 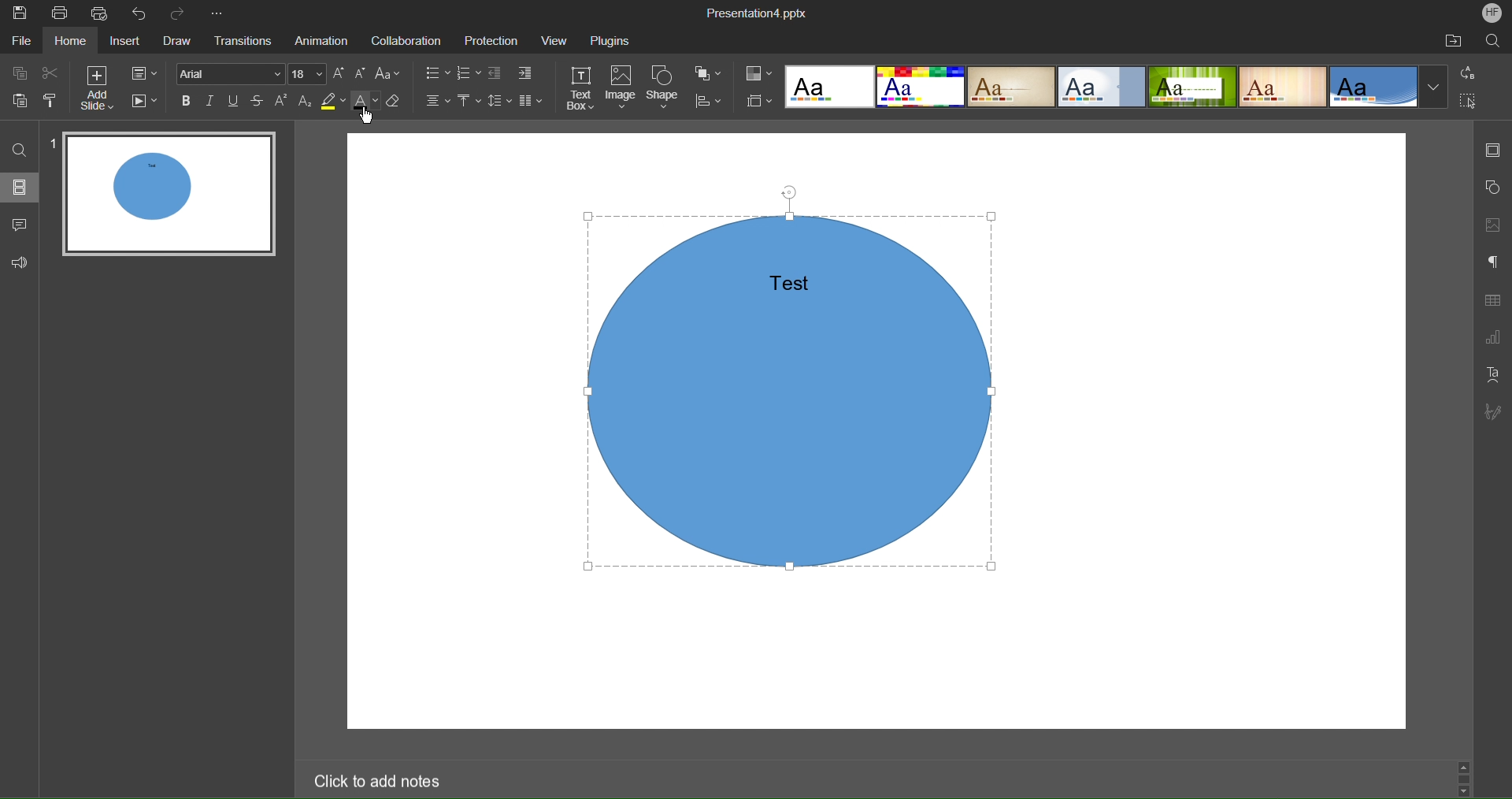 What do you see at coordinates (65, 15) in the screenshot?
I see `Print` at bounding box center [65, 15].